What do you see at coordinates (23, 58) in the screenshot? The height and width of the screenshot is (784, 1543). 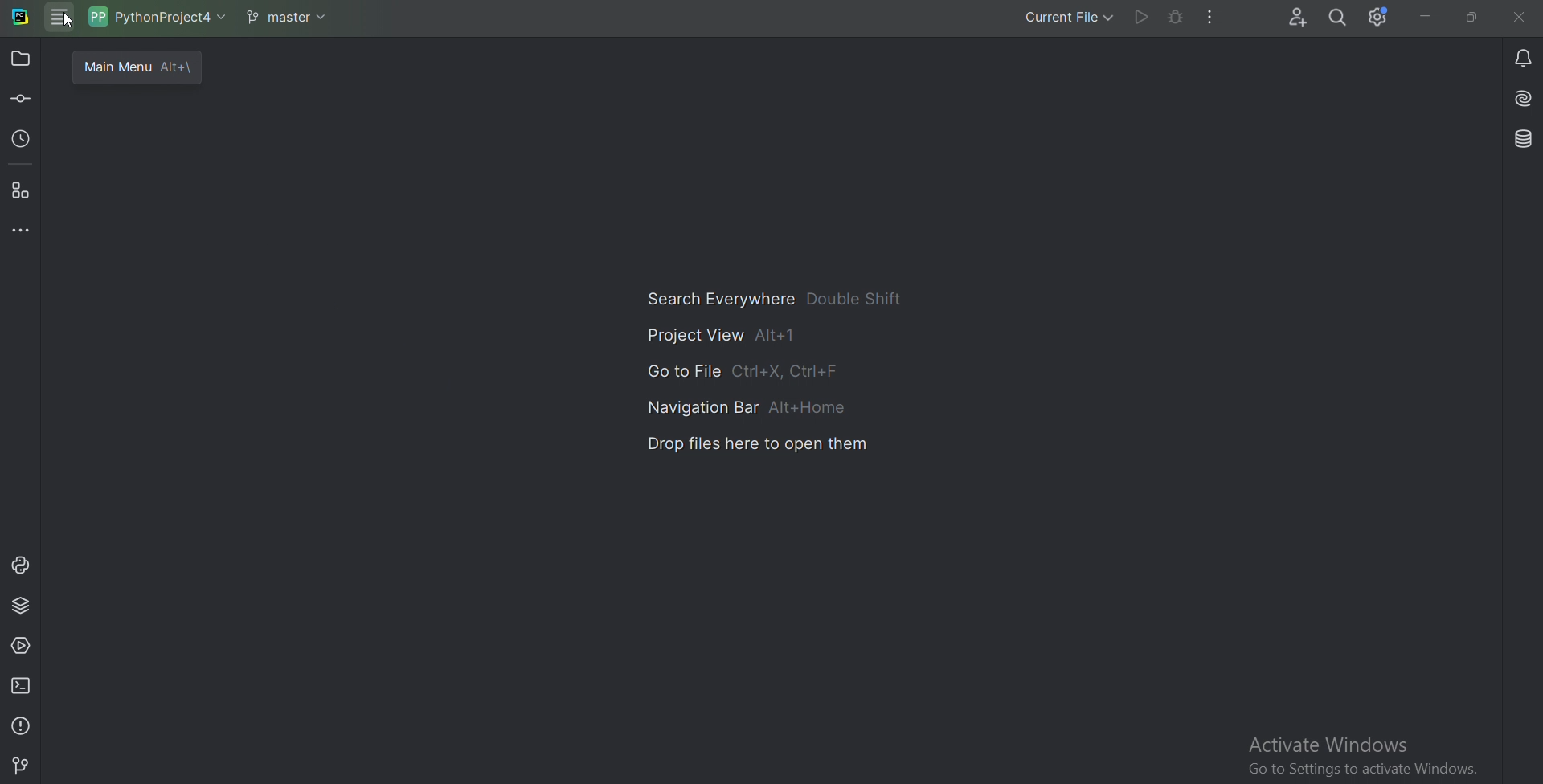 I see `Project` at bounding box center [23, 58].